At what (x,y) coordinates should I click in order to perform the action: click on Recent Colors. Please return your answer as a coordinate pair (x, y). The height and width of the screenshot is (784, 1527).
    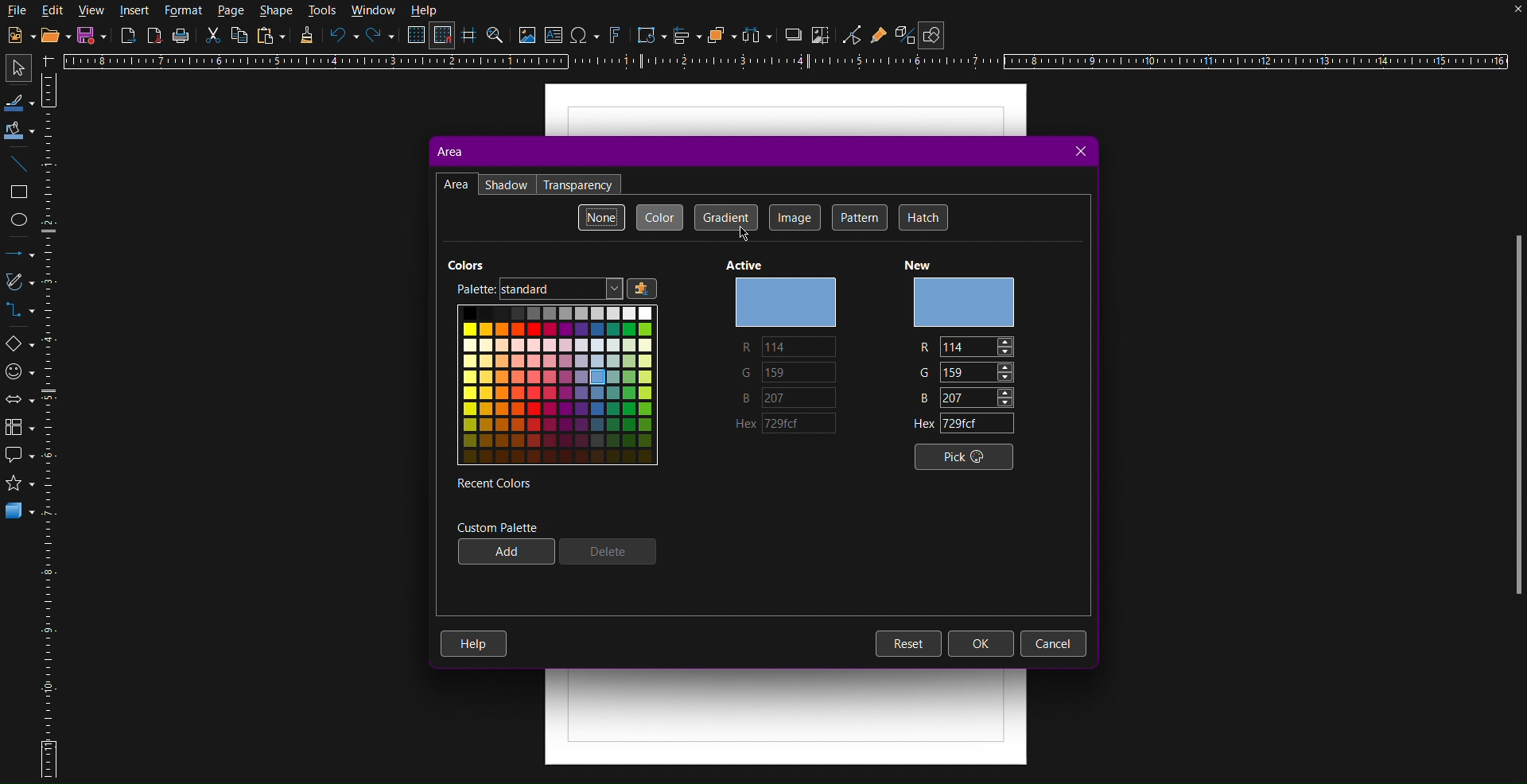
    Looking at the image, I should click on (492, 483).